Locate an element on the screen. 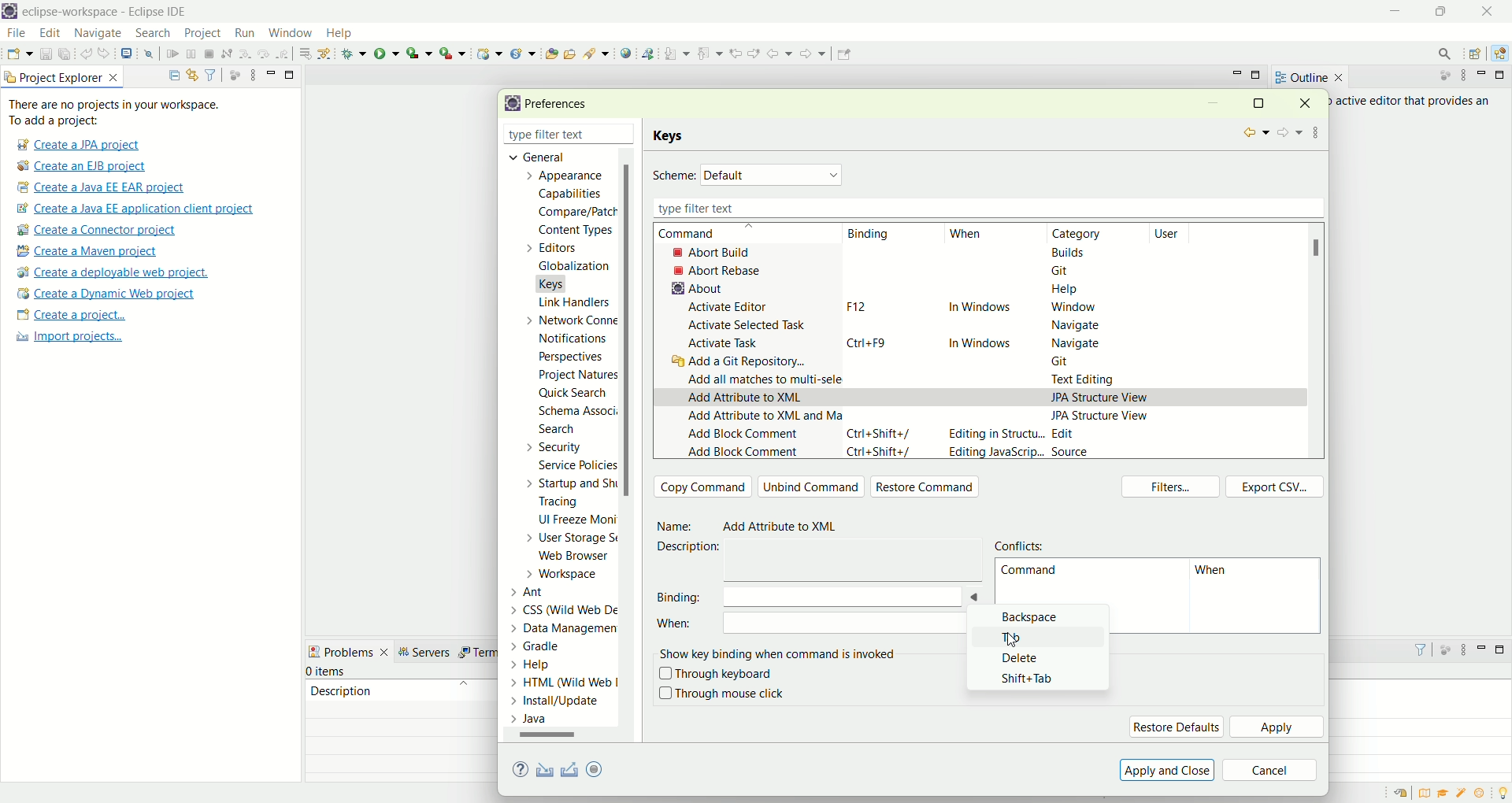 The width and height of the screenshot is (1512, 803). type filter text is located at coordinates (984, 208).